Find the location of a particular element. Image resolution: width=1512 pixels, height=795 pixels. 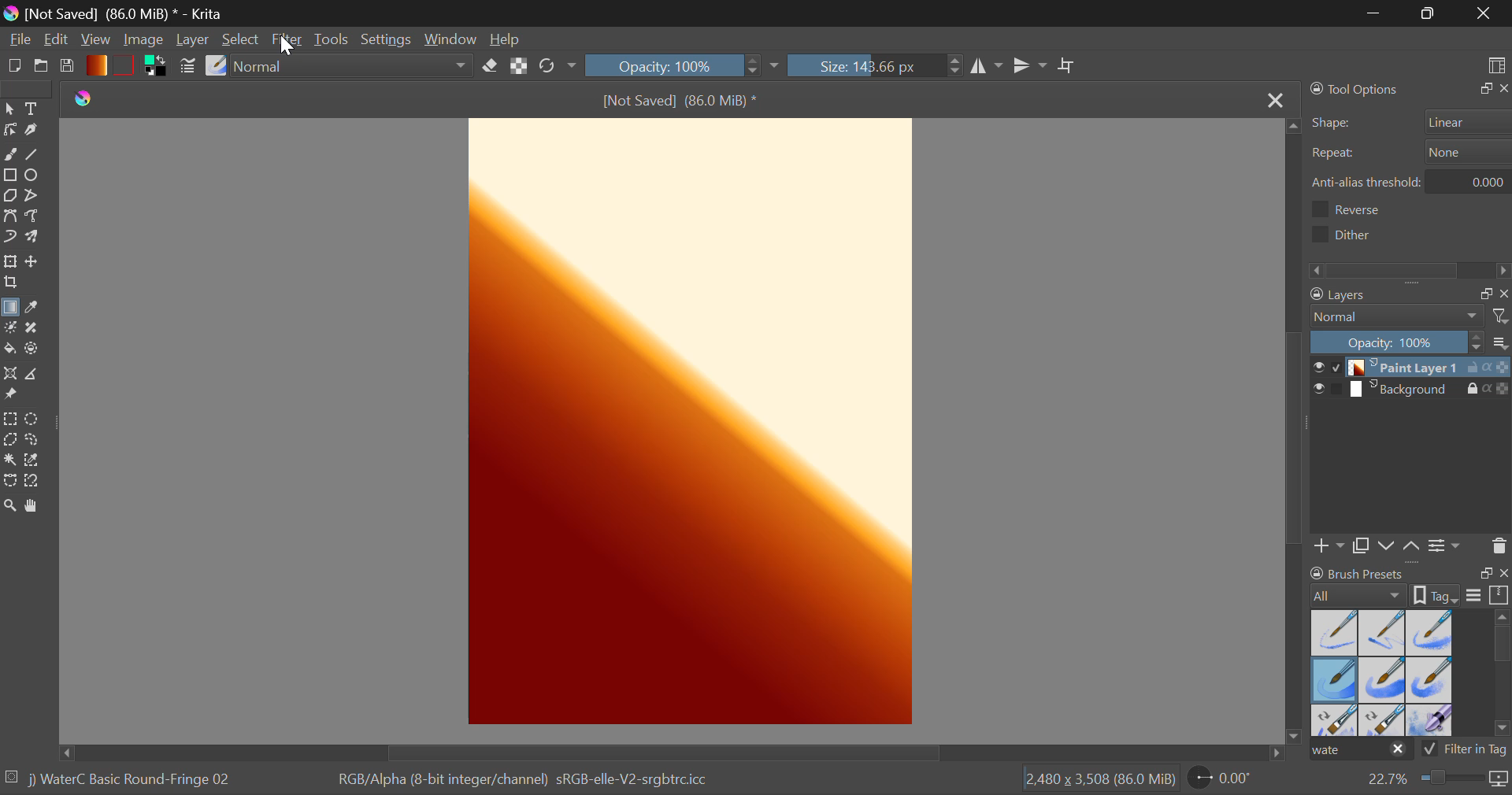

menu is located at coordinates (1503, 345).